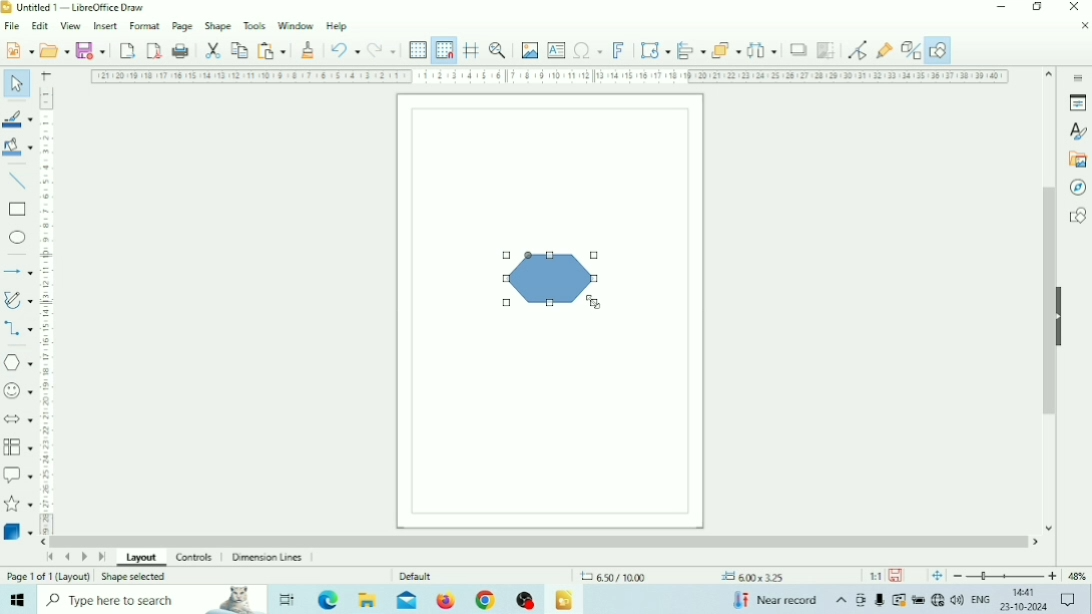 The image size is (1092, 614). I want to click on Tools, so click(255, 25).